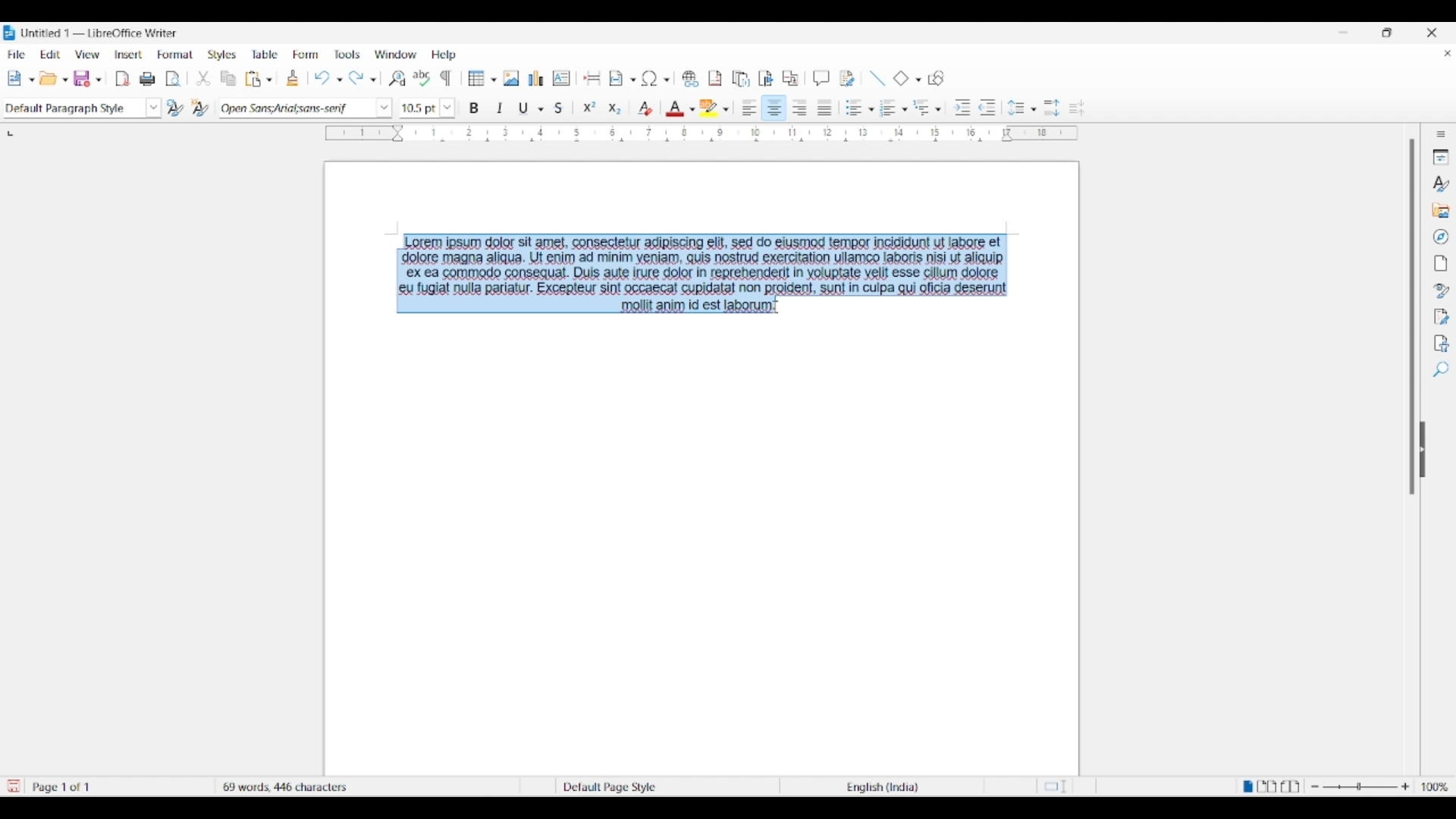 This screenshot has width=1456, height=819. What do you see at coordinates (384, 108) in the screenshot?
I see `Font name options` at bounding box center [384, 108].